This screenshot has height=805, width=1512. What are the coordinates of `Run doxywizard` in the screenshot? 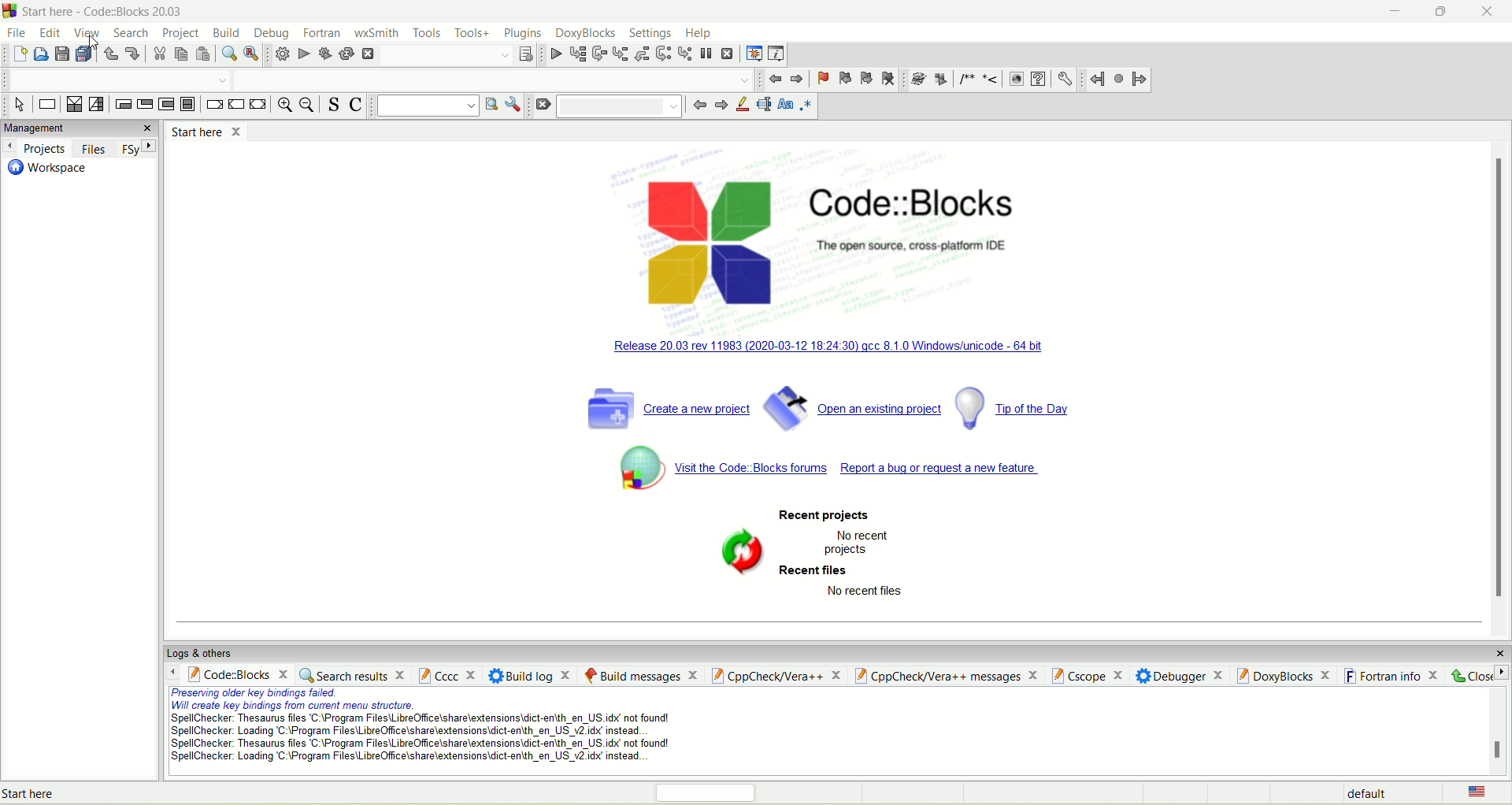 It's located at (916, 80).